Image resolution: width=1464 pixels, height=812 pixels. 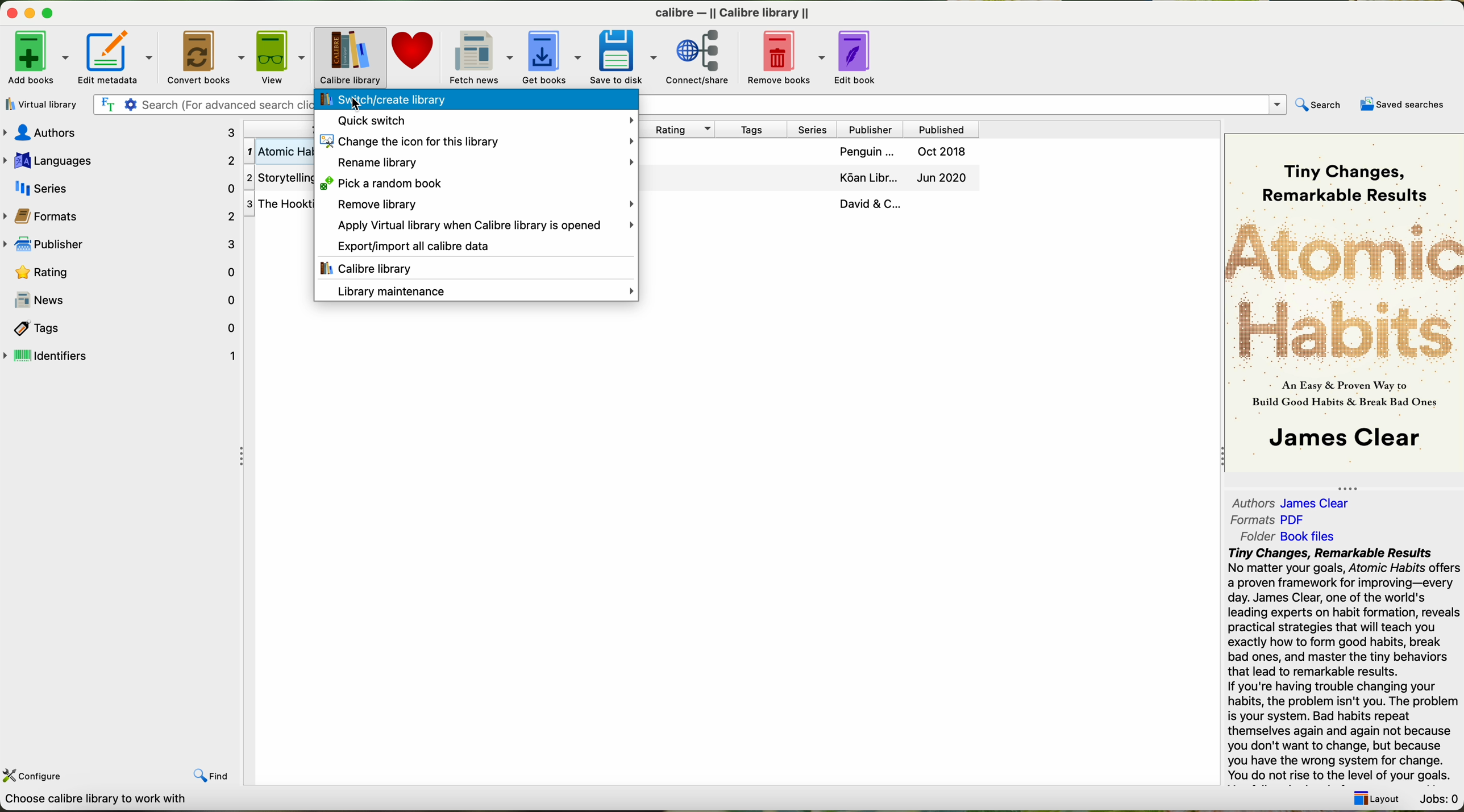 What do you see at coordinates (735, 12) in the screenshot?
I see `calibre — || Calibre library ||` at bounding box center [735, 12].